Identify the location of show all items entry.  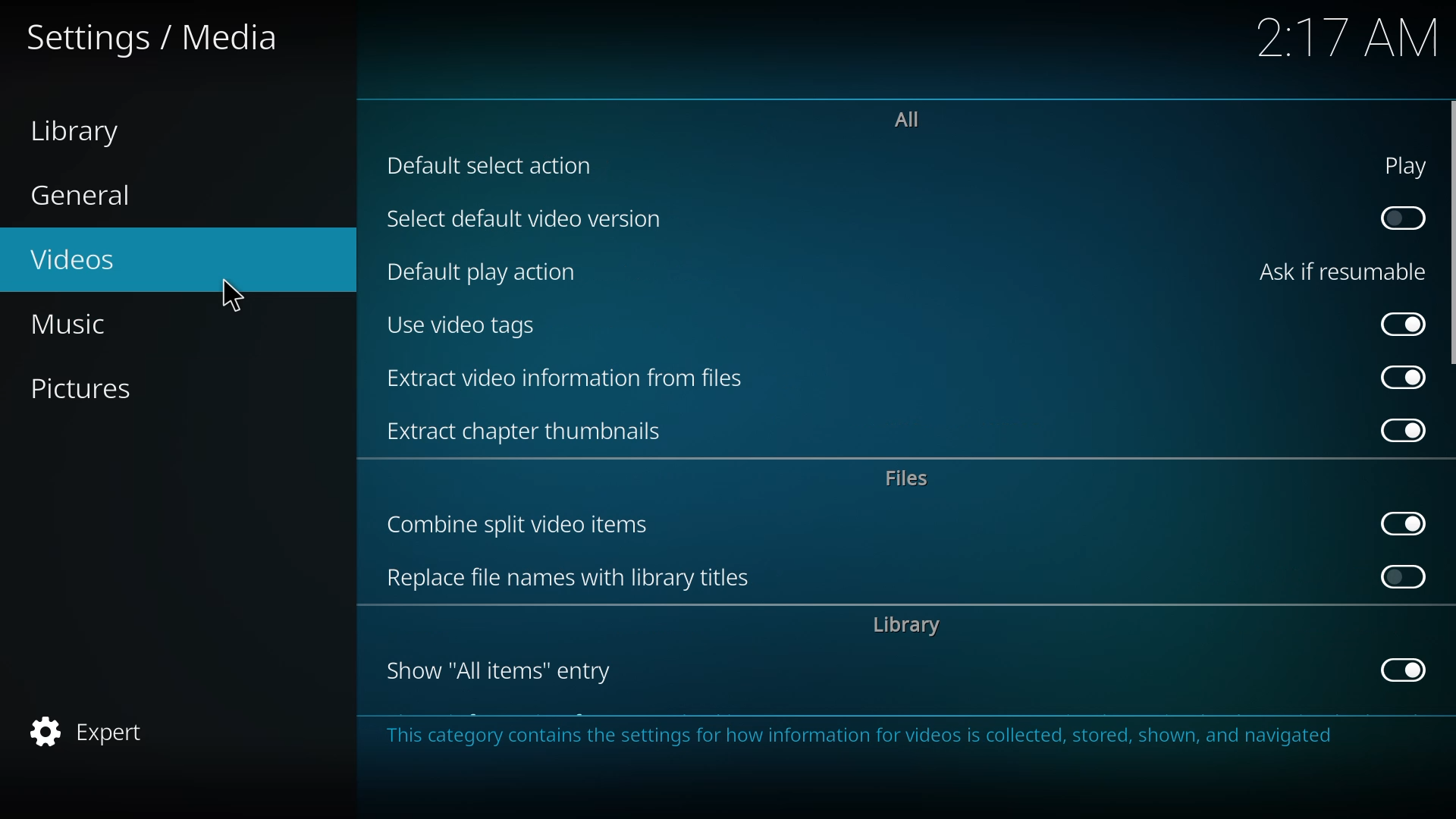
(504, 672).